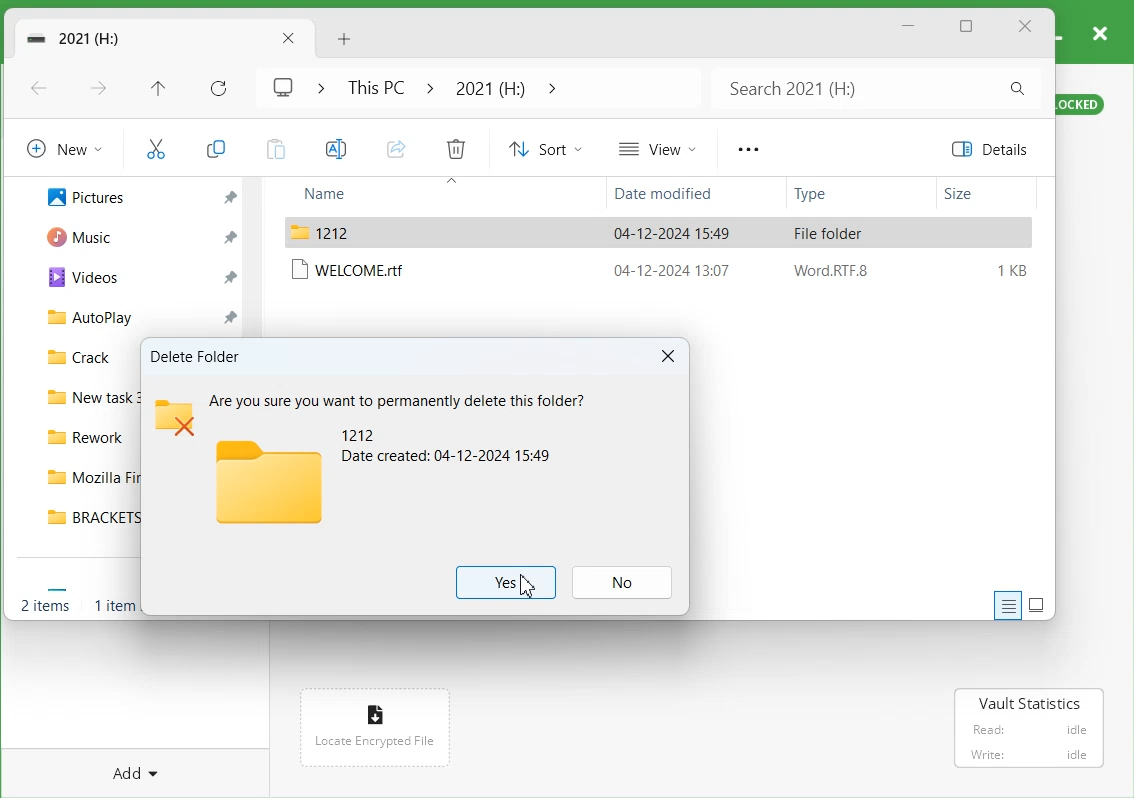 Image resolution: width=1134 pixels, height=798 pixels. Describe the element at coordinates (290, 40) in the screenshot. I see `Close Folder` at that location.